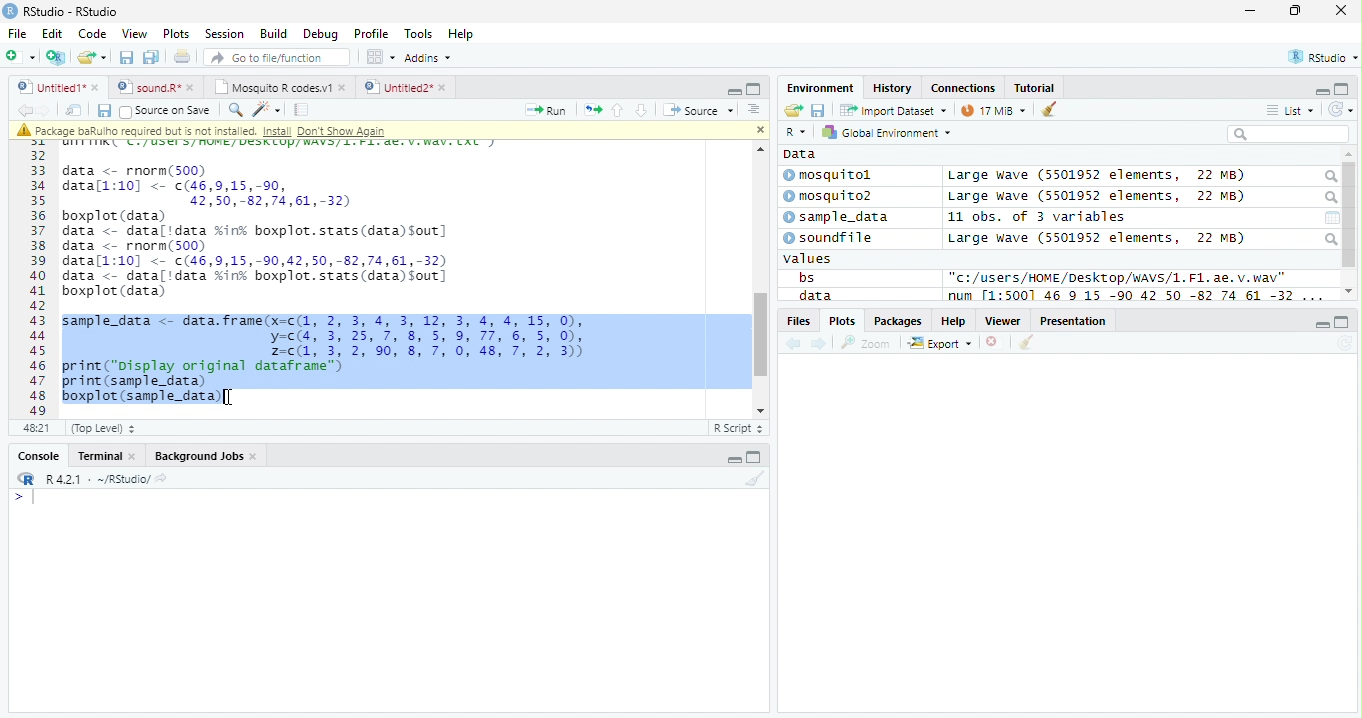  Describe the element at coordinates (342, 360) in the screenshot. I see `sample_data <- data.frame(x-c(1, 2, 3, 4, 3, 12, 3, 4, 4, 15, 0),
y=-c(4, 3, 25, 7,8,5,9,77,6,5, 0),
2z-c(1, 3, 2, 90, 8, 7, 0, 48, 7, 2, 3))

print("Display original dataframe”)

print (sample_data)

eanTet Camila SArdH]` at that location.